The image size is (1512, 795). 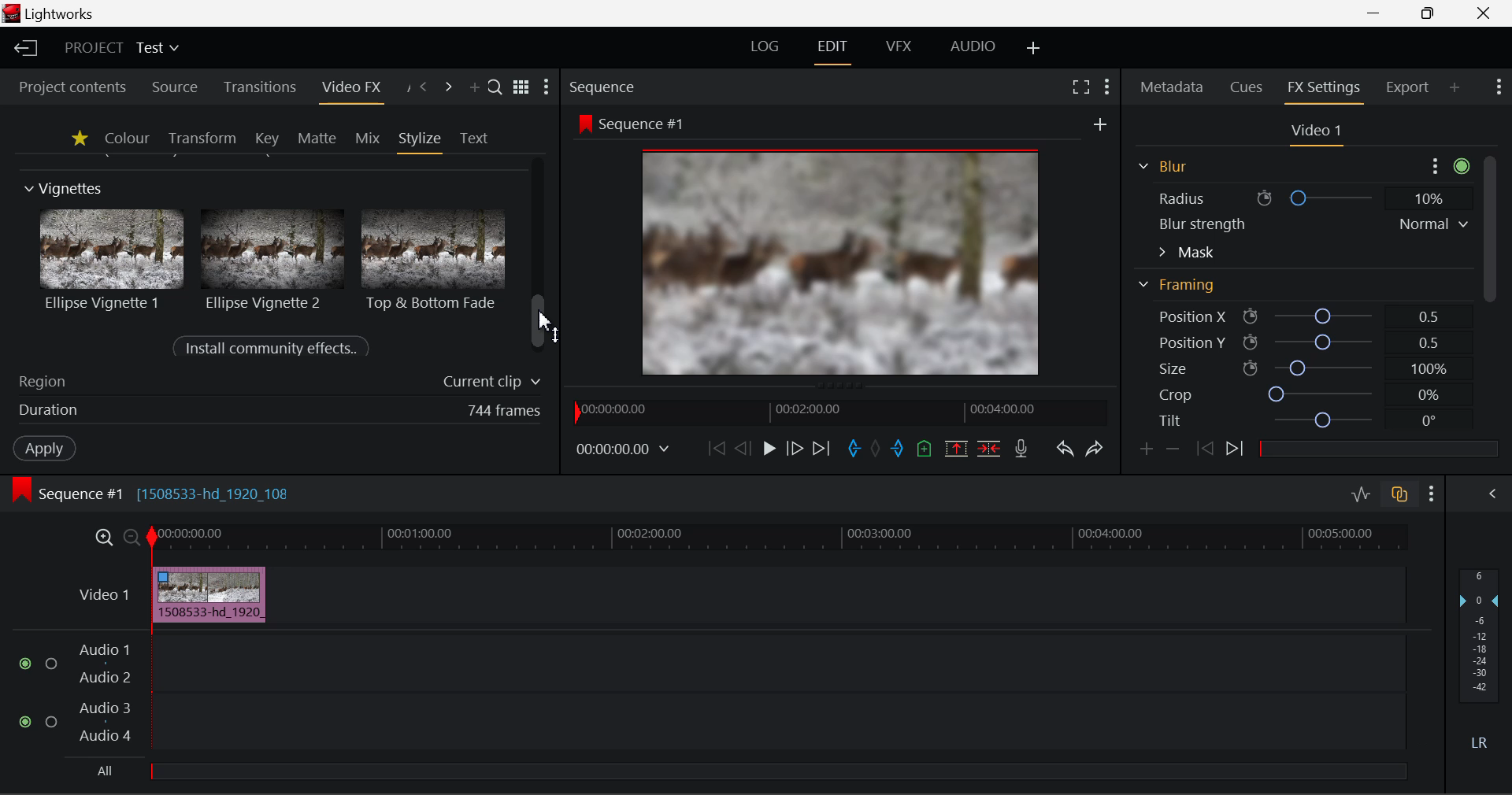 What do you see at coordinates (696, 708) in the screenshot?
I see `Audio Input Field` at bounding box center [696, 708].